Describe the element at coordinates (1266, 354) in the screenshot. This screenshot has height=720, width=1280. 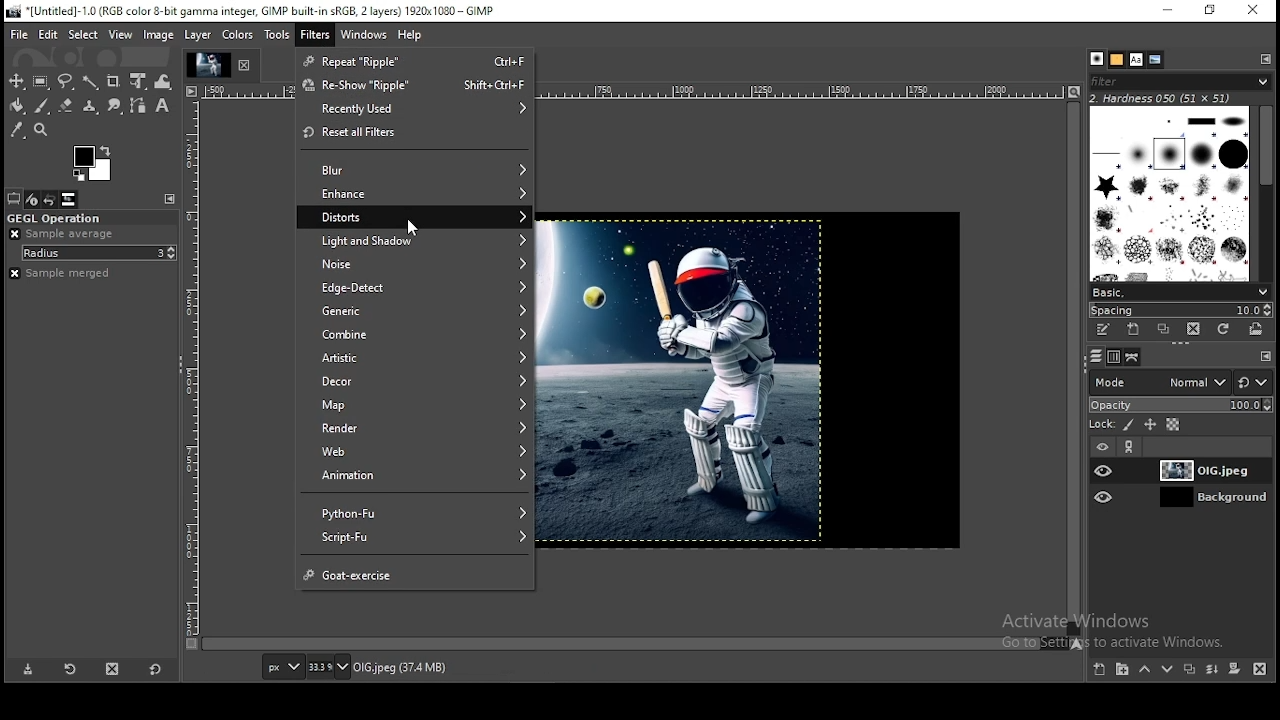
I see `configure this tab` at that location.